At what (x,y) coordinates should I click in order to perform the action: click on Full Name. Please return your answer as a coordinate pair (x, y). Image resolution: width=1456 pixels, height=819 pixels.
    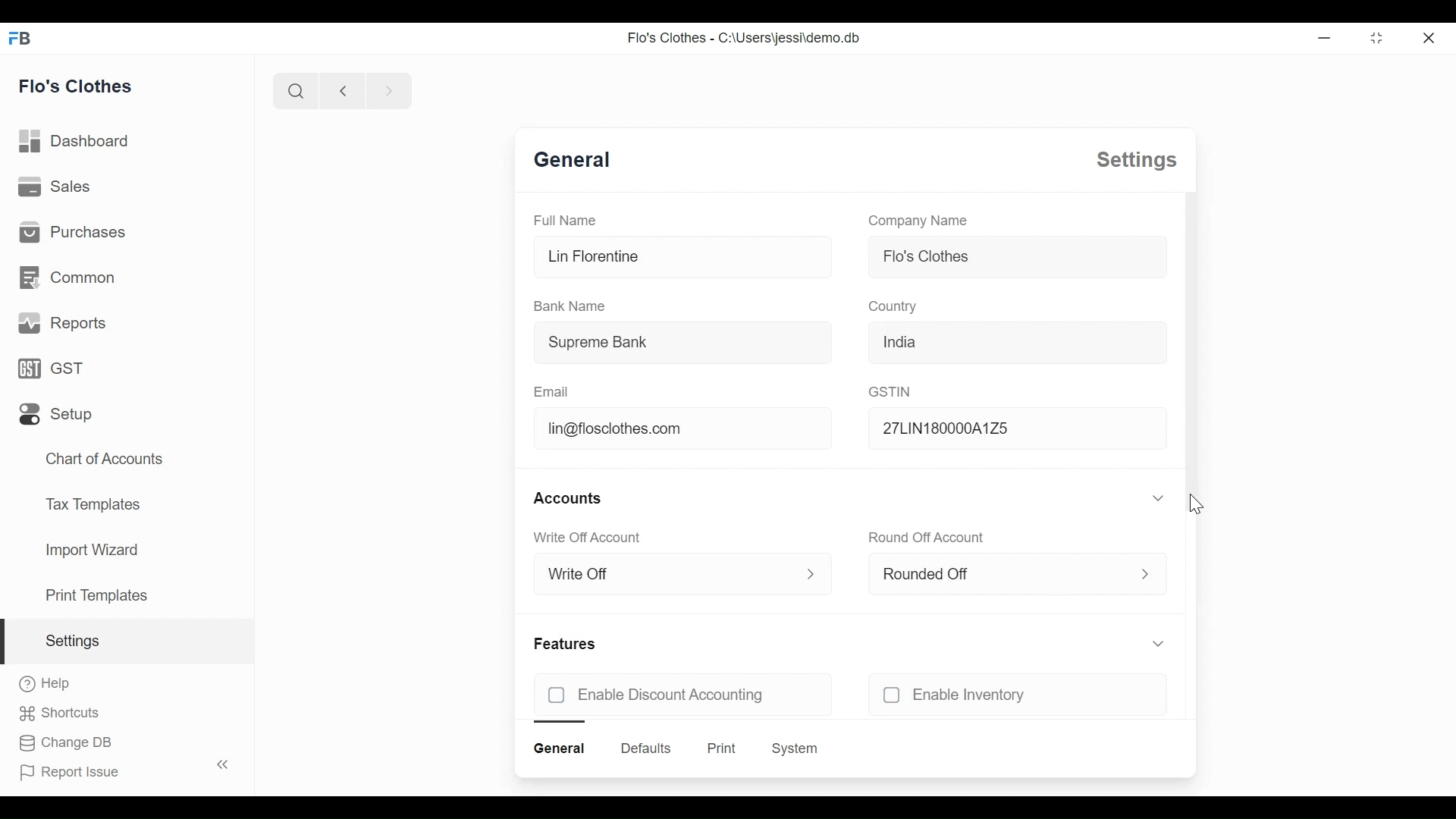
    Looking at the image, I should click on (561, 220).